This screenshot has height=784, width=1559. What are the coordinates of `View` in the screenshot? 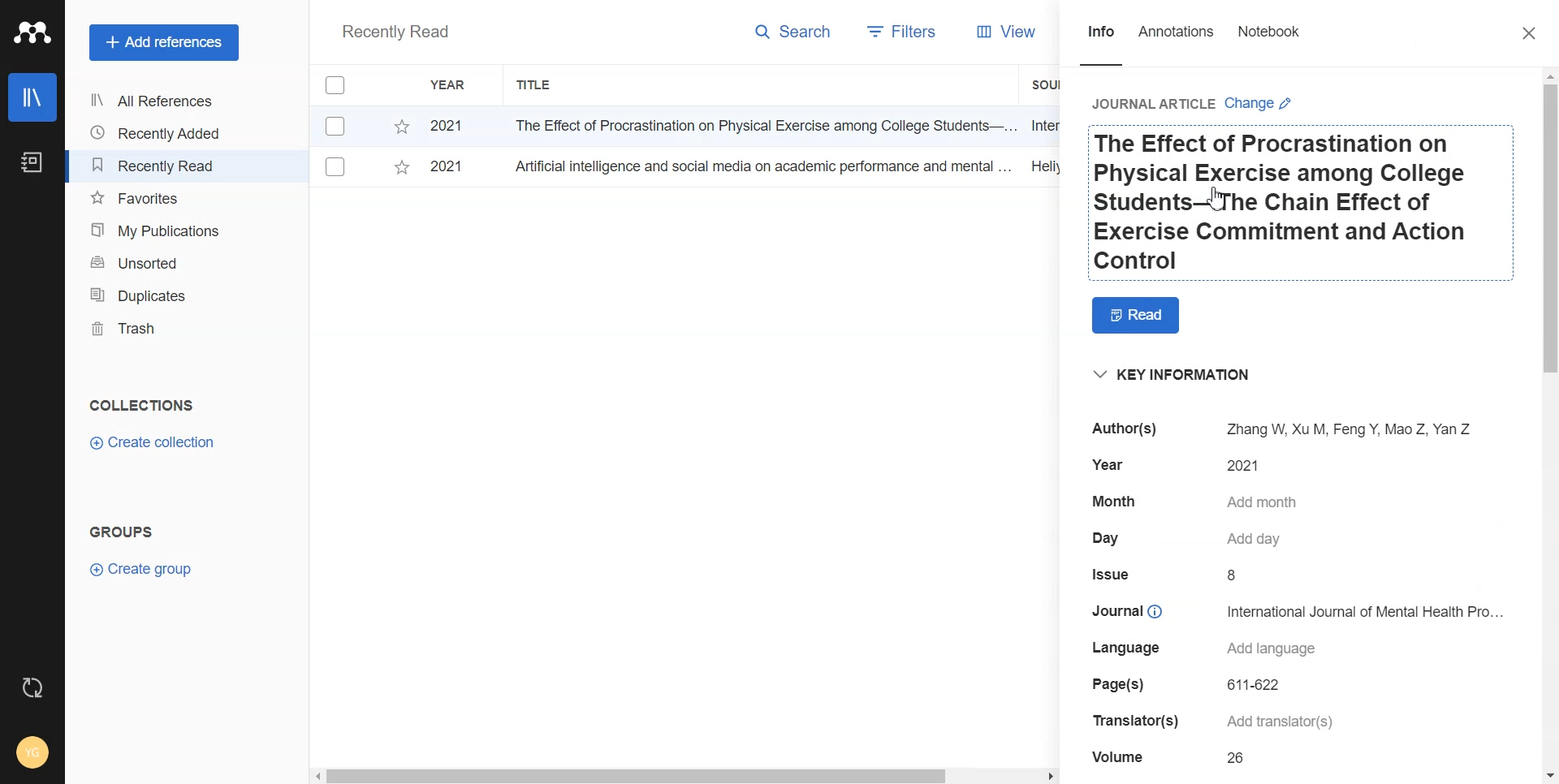 It's located at (1007, 33).